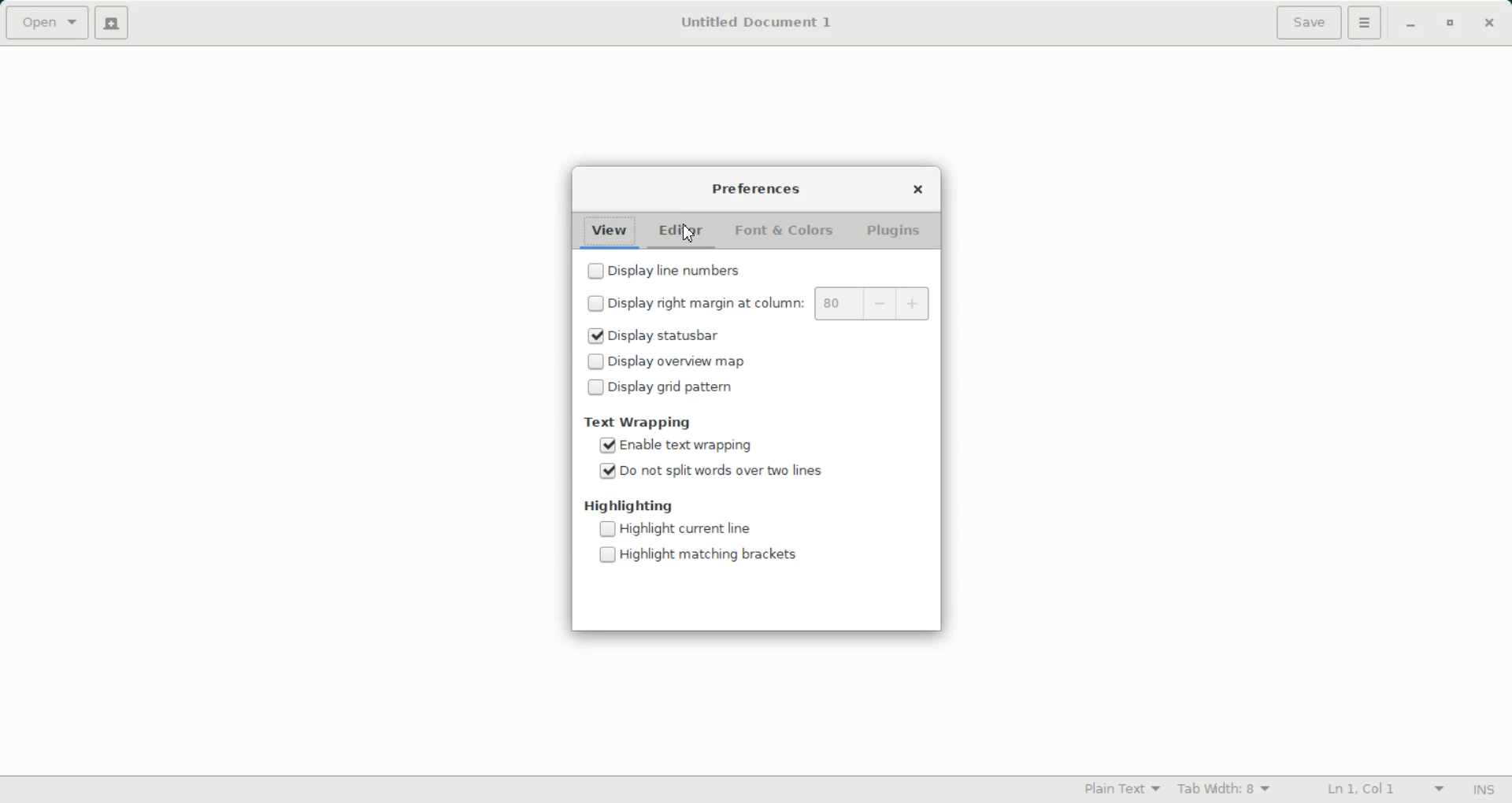  I want to click on Right margin indicator, so click(870, 303).